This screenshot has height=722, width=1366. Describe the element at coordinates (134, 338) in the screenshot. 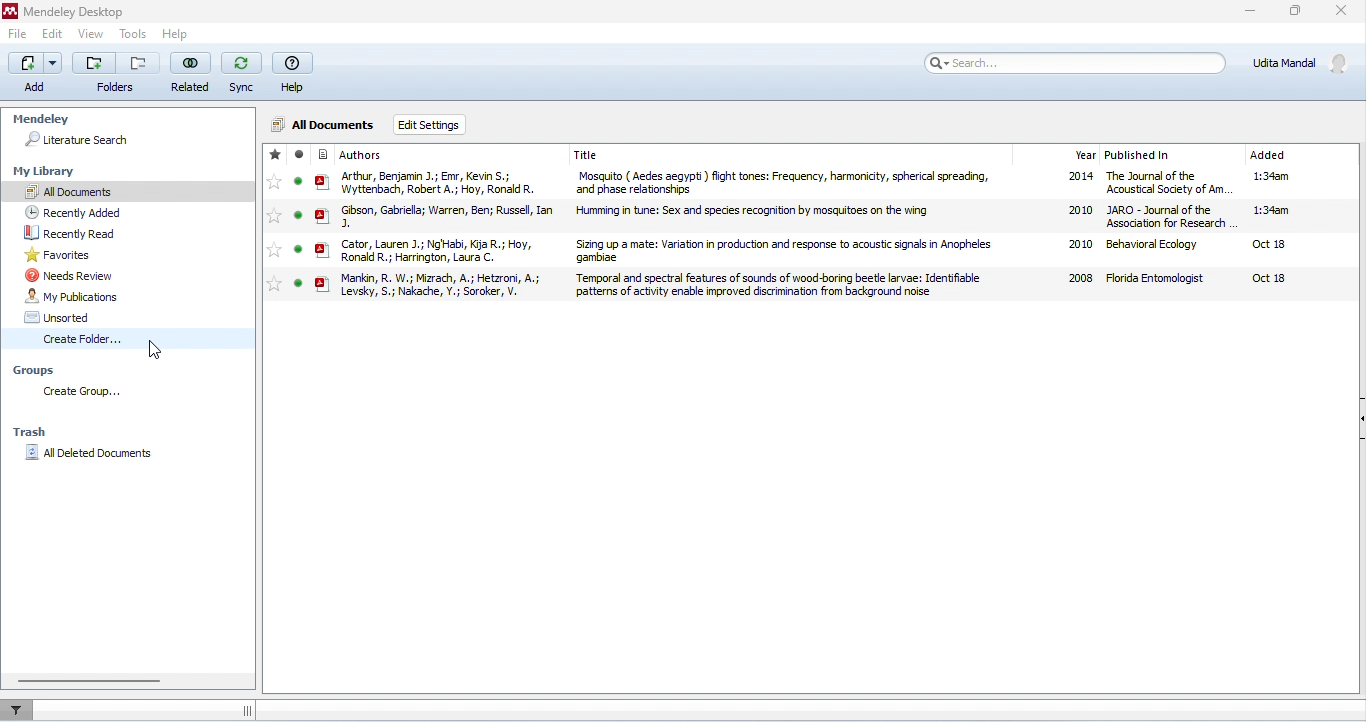

I see `create folder` at that location.